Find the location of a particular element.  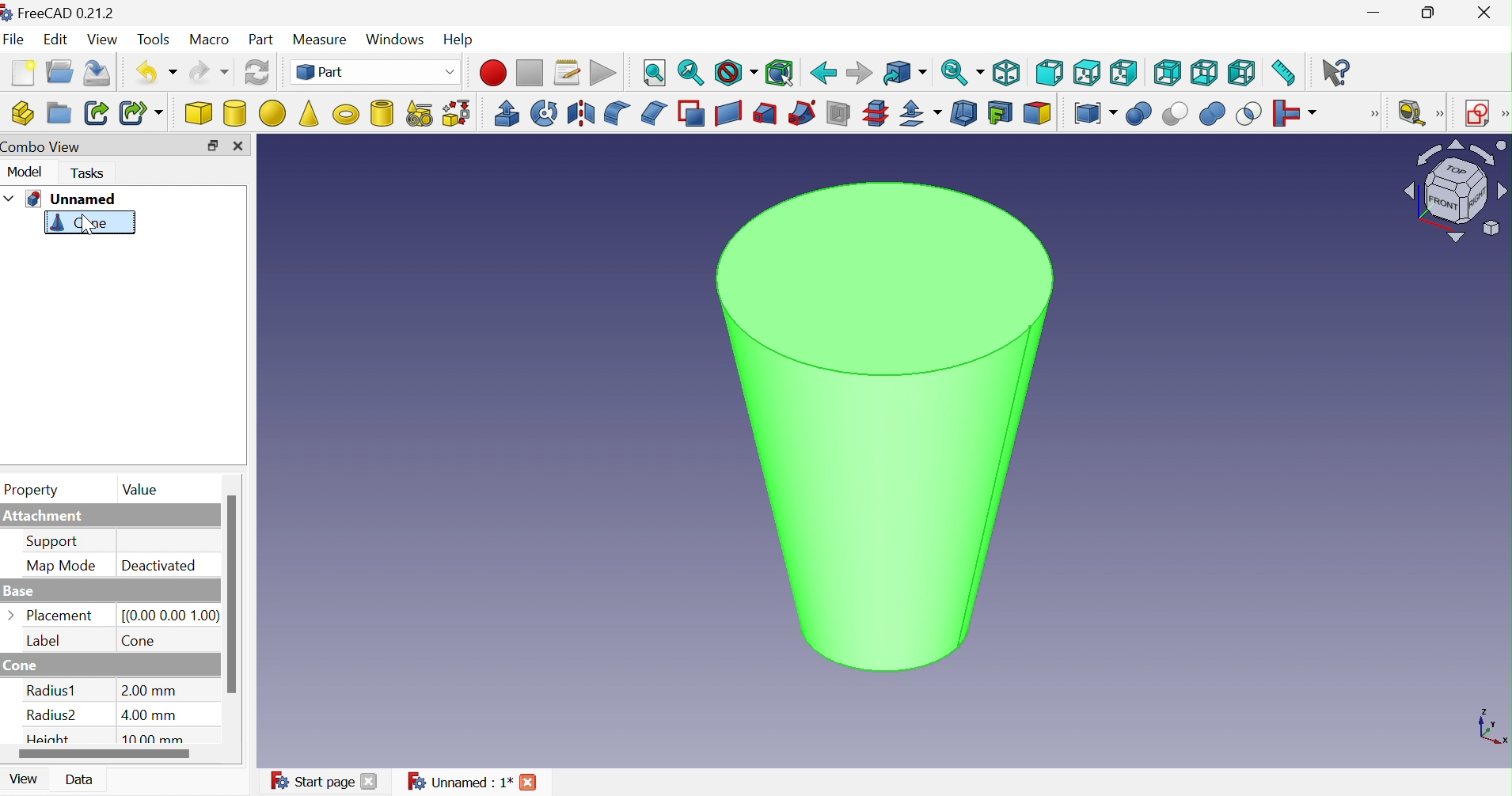

Bottom is located at coordinates (1203, 74).